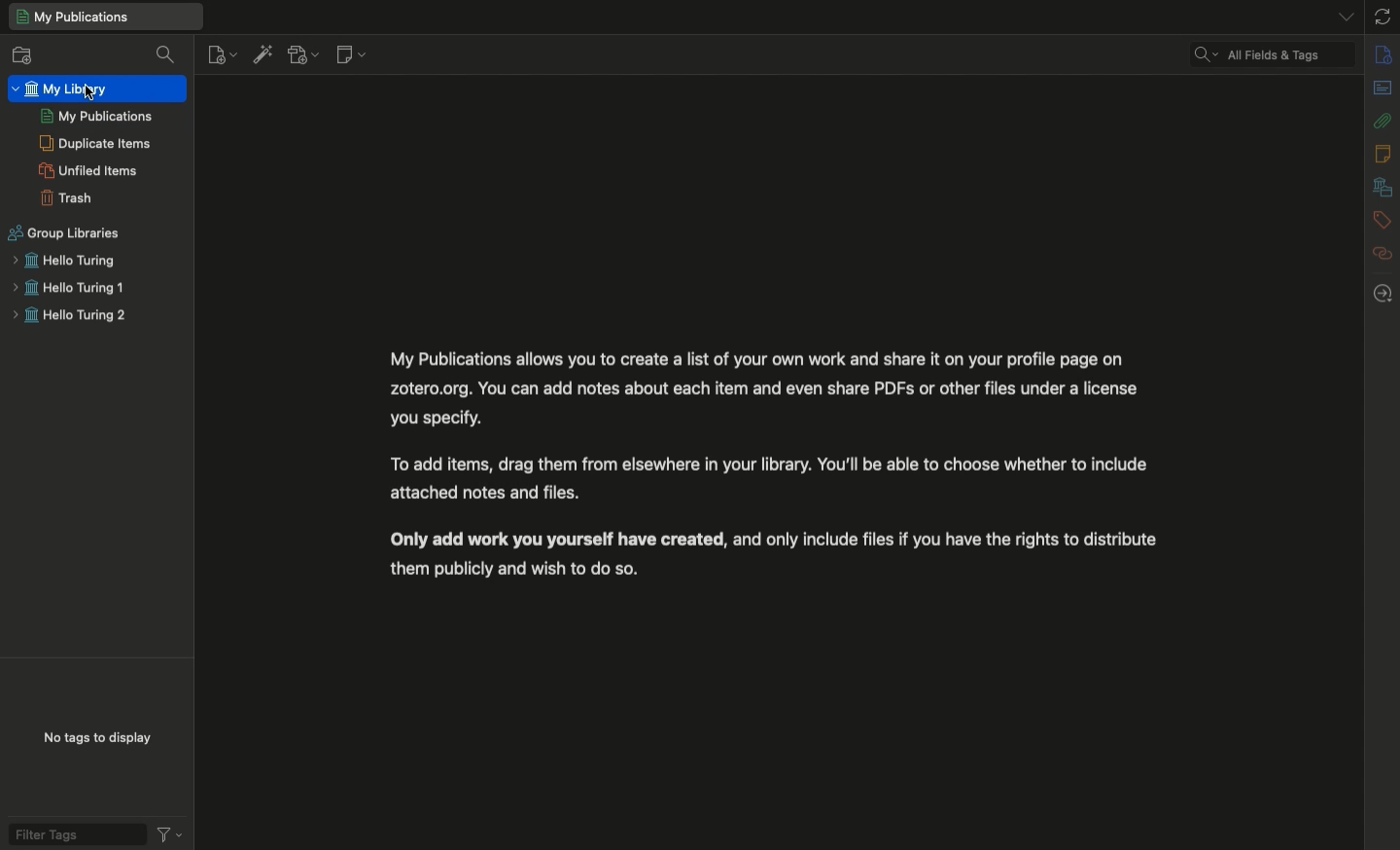  What do you see at coordinates (262, 54) in the screenshot?
I see `Add items by identifier` at bounding box center [262, 54].